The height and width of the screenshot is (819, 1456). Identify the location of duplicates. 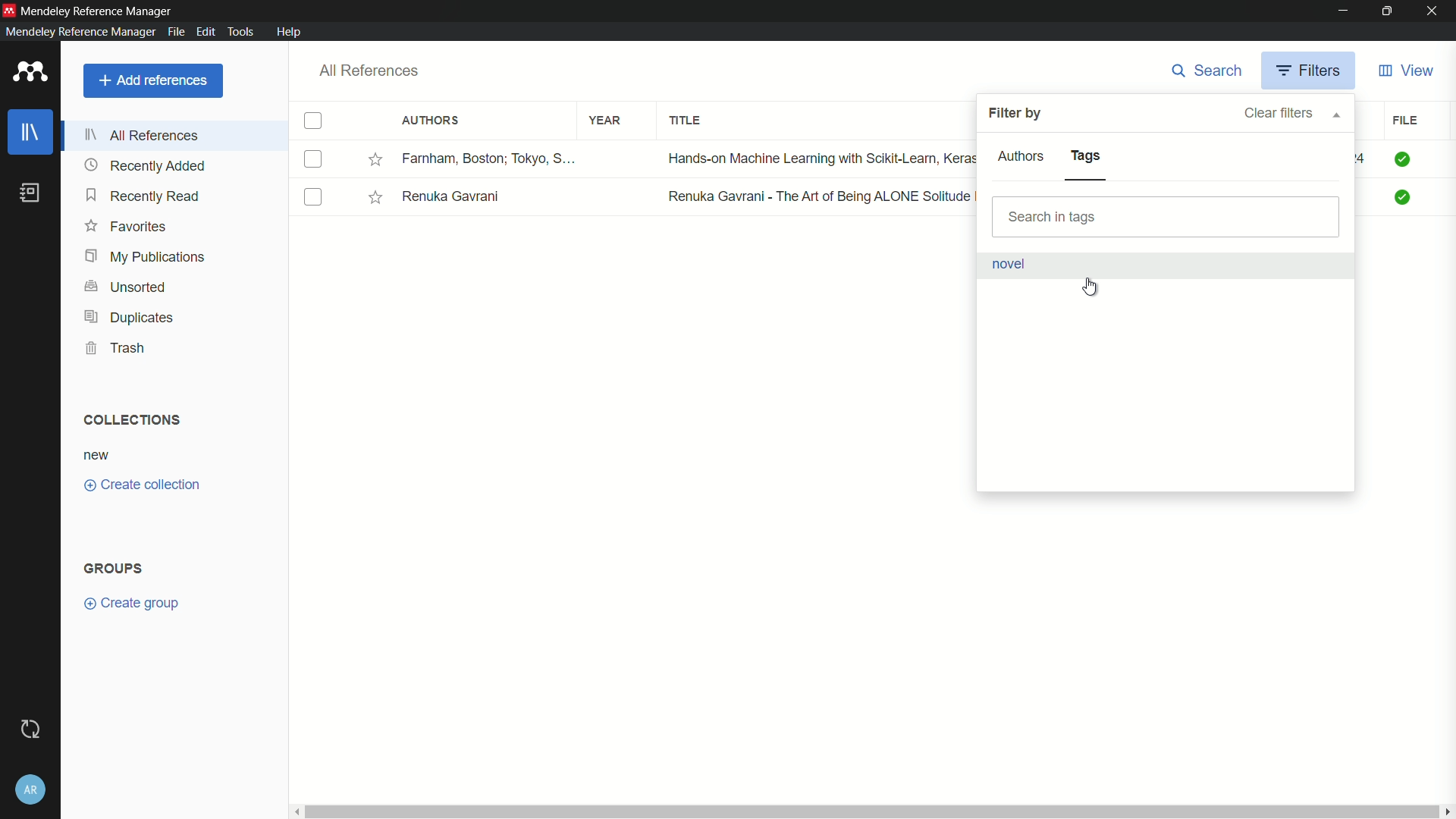
(130, 317).